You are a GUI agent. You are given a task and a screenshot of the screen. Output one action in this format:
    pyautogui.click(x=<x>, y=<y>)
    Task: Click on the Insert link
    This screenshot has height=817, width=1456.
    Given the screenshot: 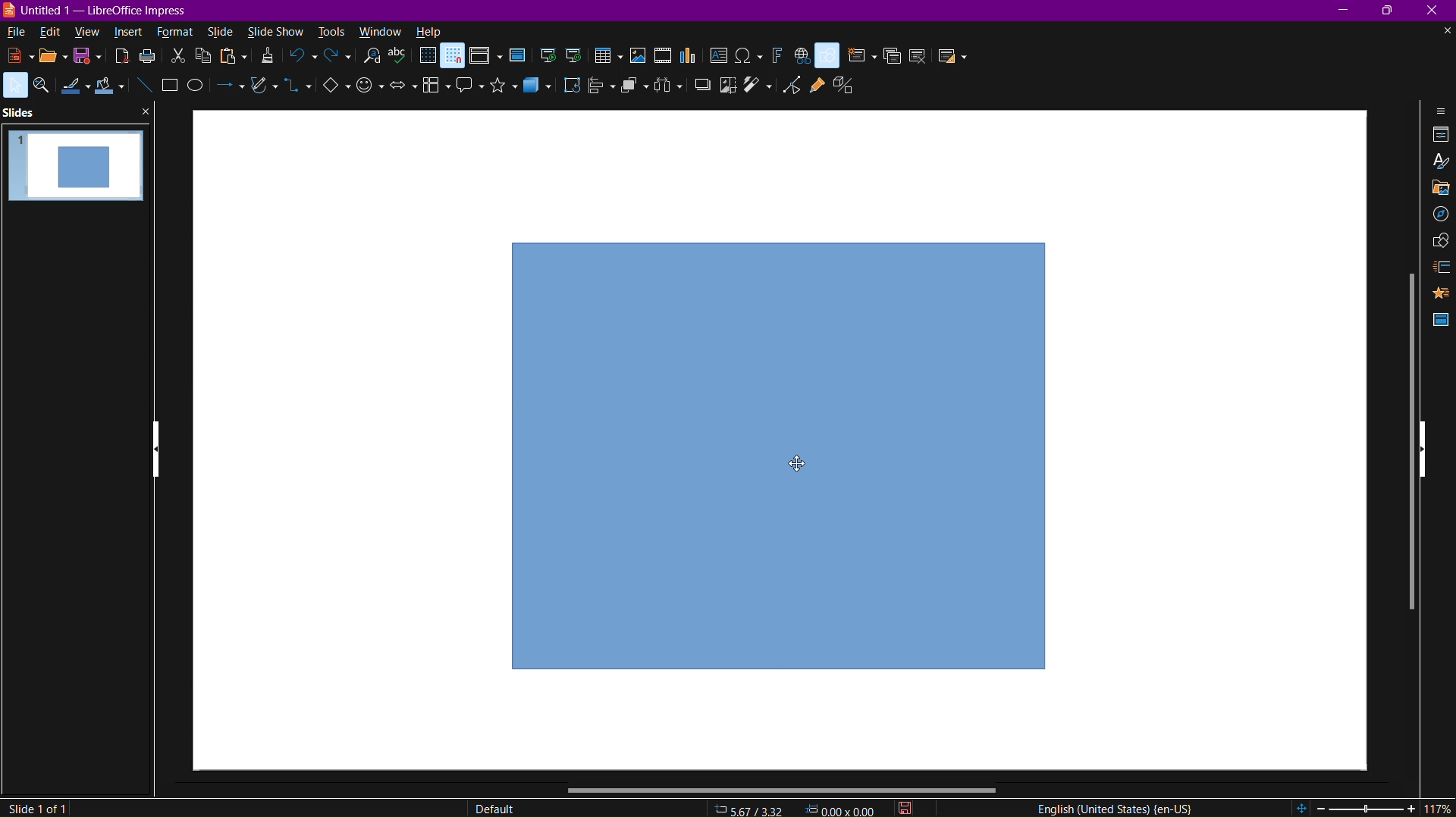 What is the action you would take?
    pyautogui.click(x=802, y=56)
    